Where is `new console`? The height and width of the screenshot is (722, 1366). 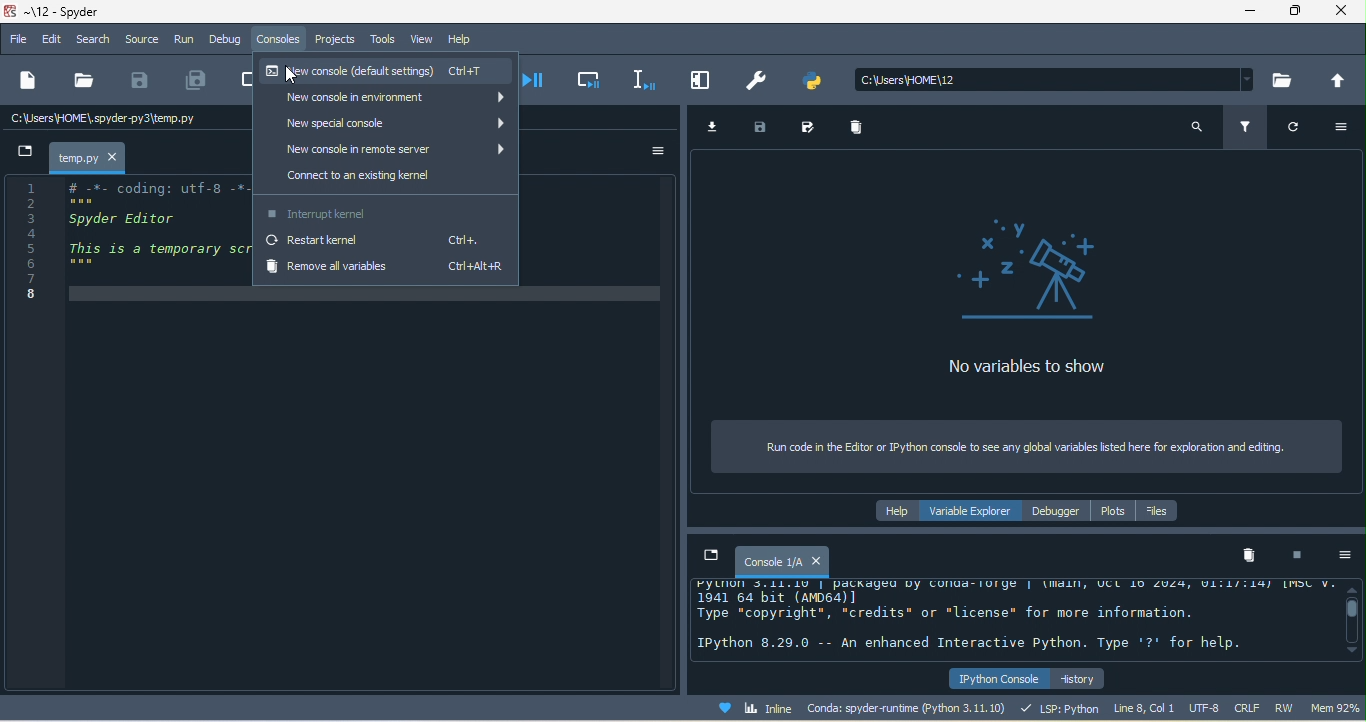
new console is located at coordinates (390, 73).